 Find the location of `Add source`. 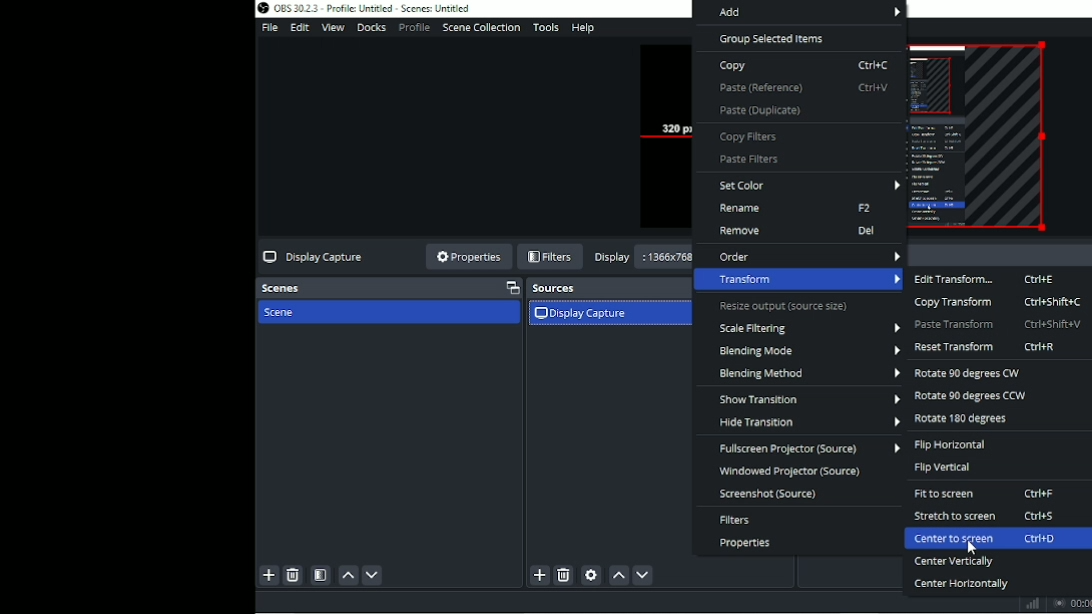

Add source is located at coordinates (539, 576).